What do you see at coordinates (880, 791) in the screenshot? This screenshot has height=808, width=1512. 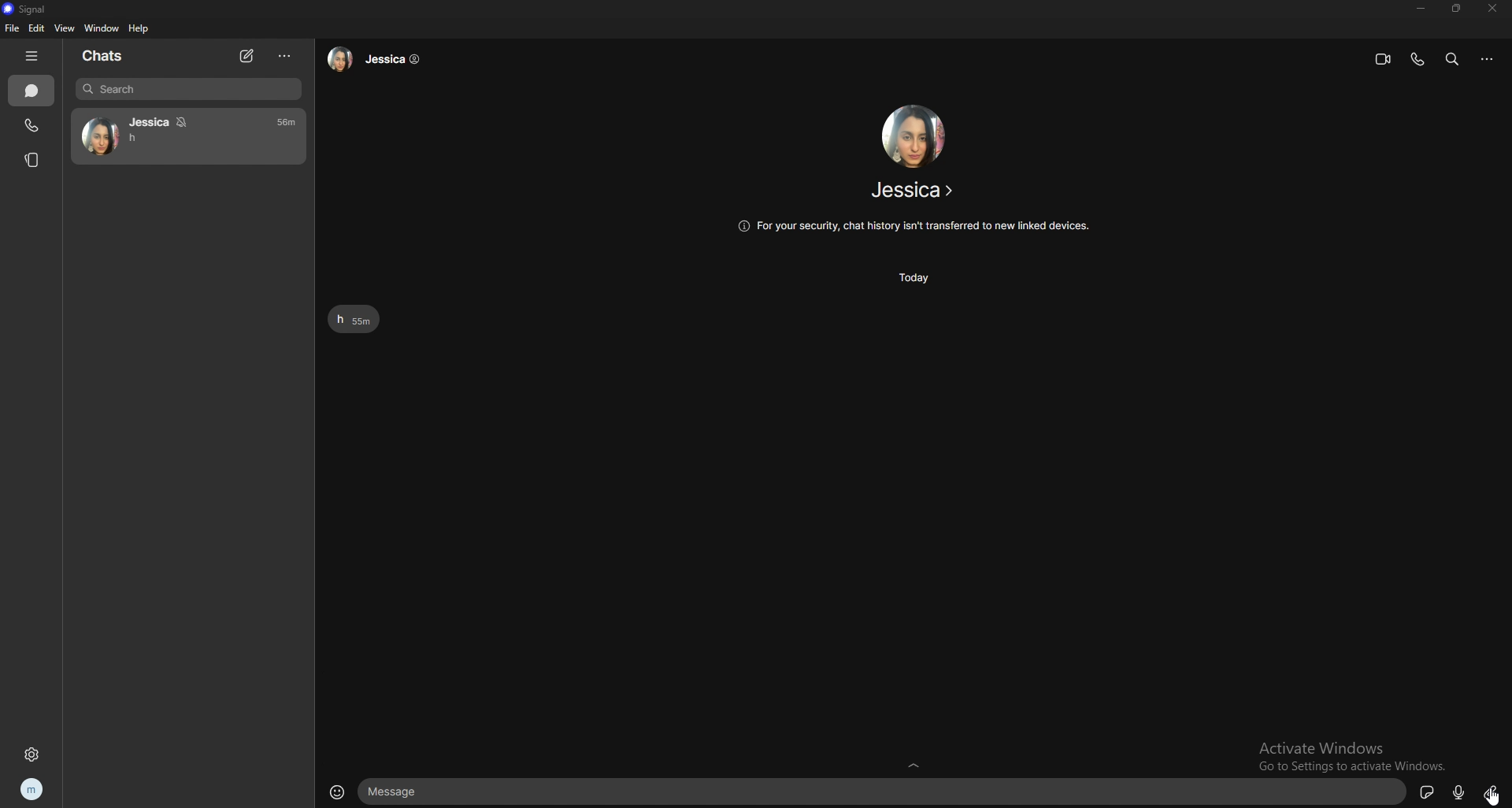 I see `text input box` at bounding box center [880, 791].